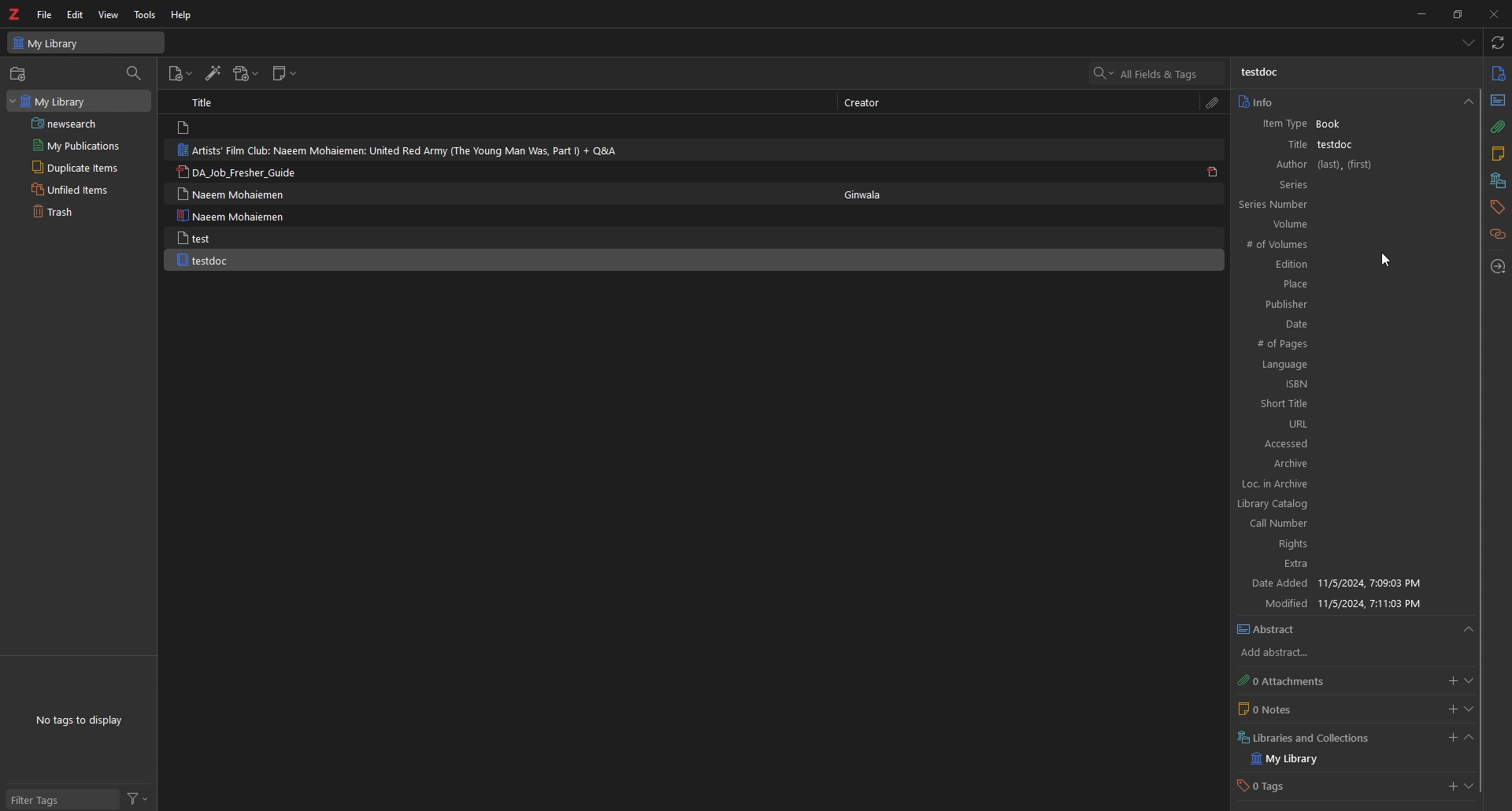  What do you see at coordinates (865, 104) in the screenshot?
I see `Creator` at bounding box center [865, 104].